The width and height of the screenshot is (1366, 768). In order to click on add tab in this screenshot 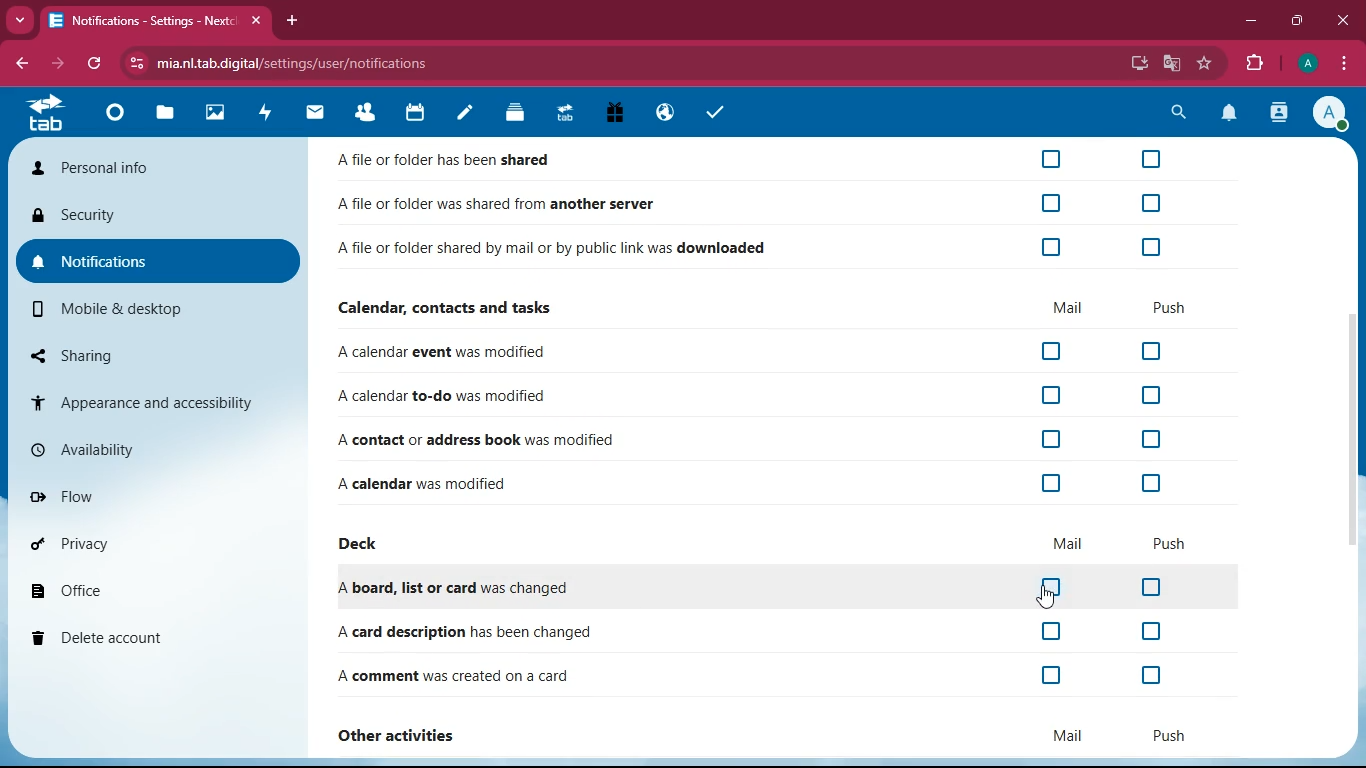, I will do `click(293, 20)`.